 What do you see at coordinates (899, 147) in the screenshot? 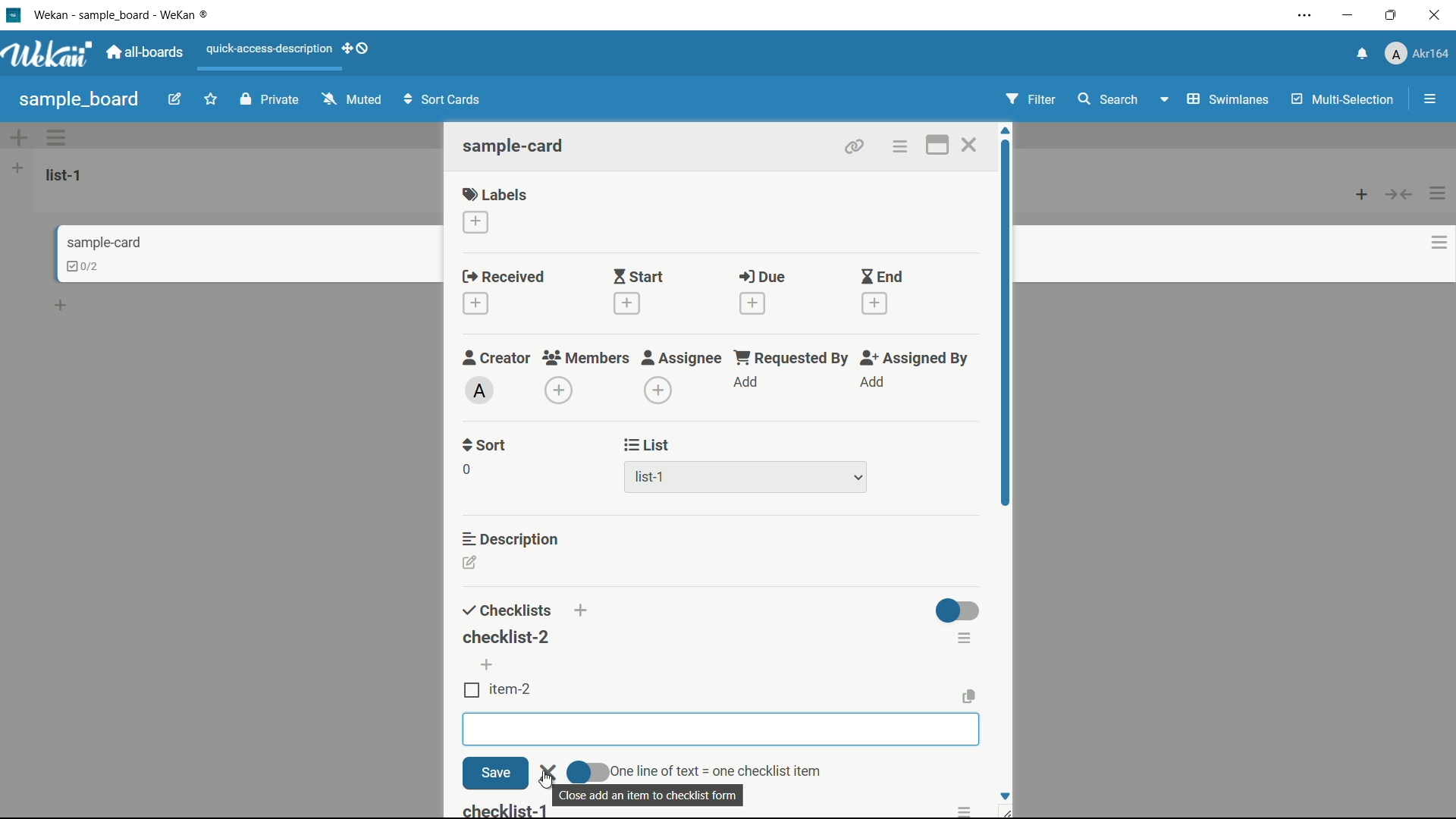
I see `card actions` at bounding box center [899, 147].